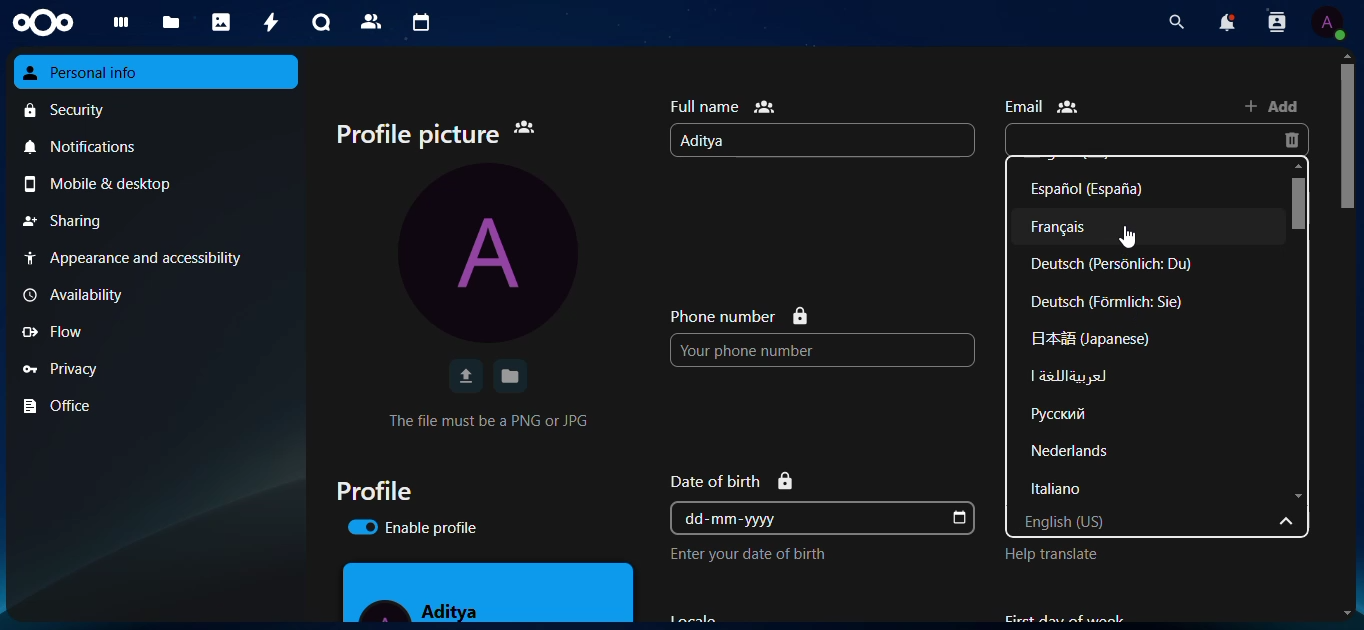  Describe the element at coordinates (98, 73) in the screenshot. I see `personal info` at that location.